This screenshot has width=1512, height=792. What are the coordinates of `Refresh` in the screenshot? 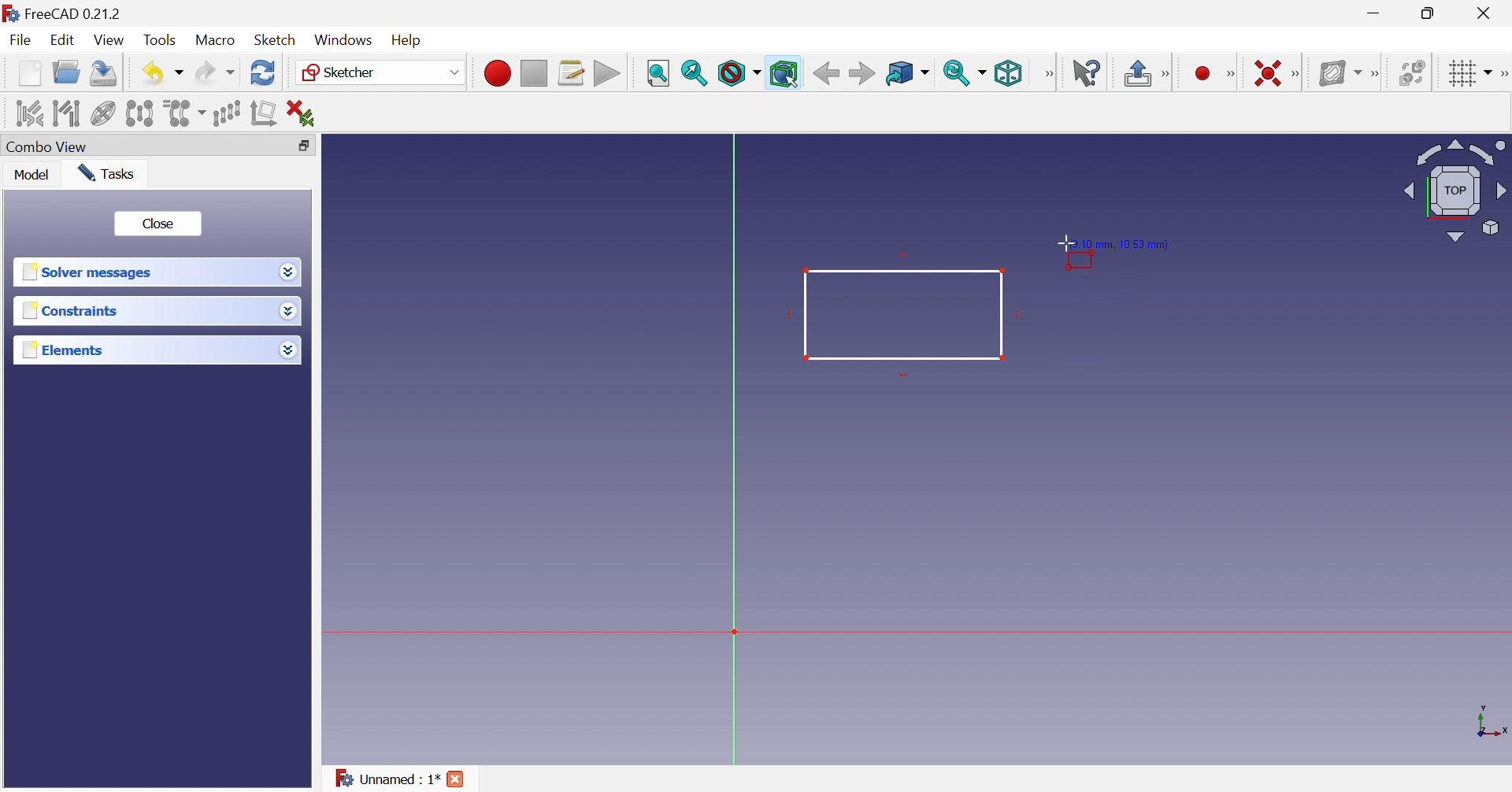 It's located at (264, 73).